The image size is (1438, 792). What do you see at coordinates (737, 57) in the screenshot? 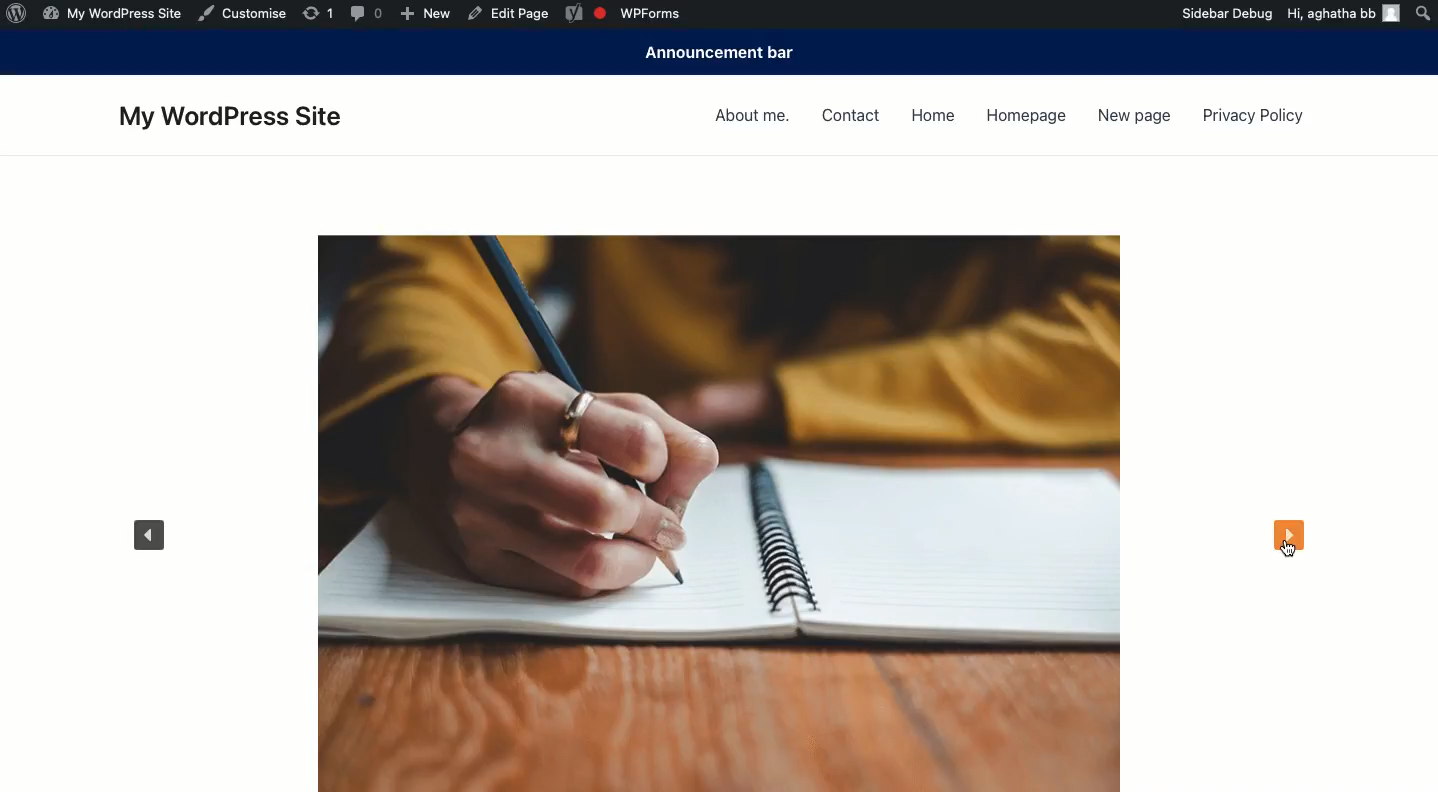
I see `Announcement bar` at bounding box center [737, 57].